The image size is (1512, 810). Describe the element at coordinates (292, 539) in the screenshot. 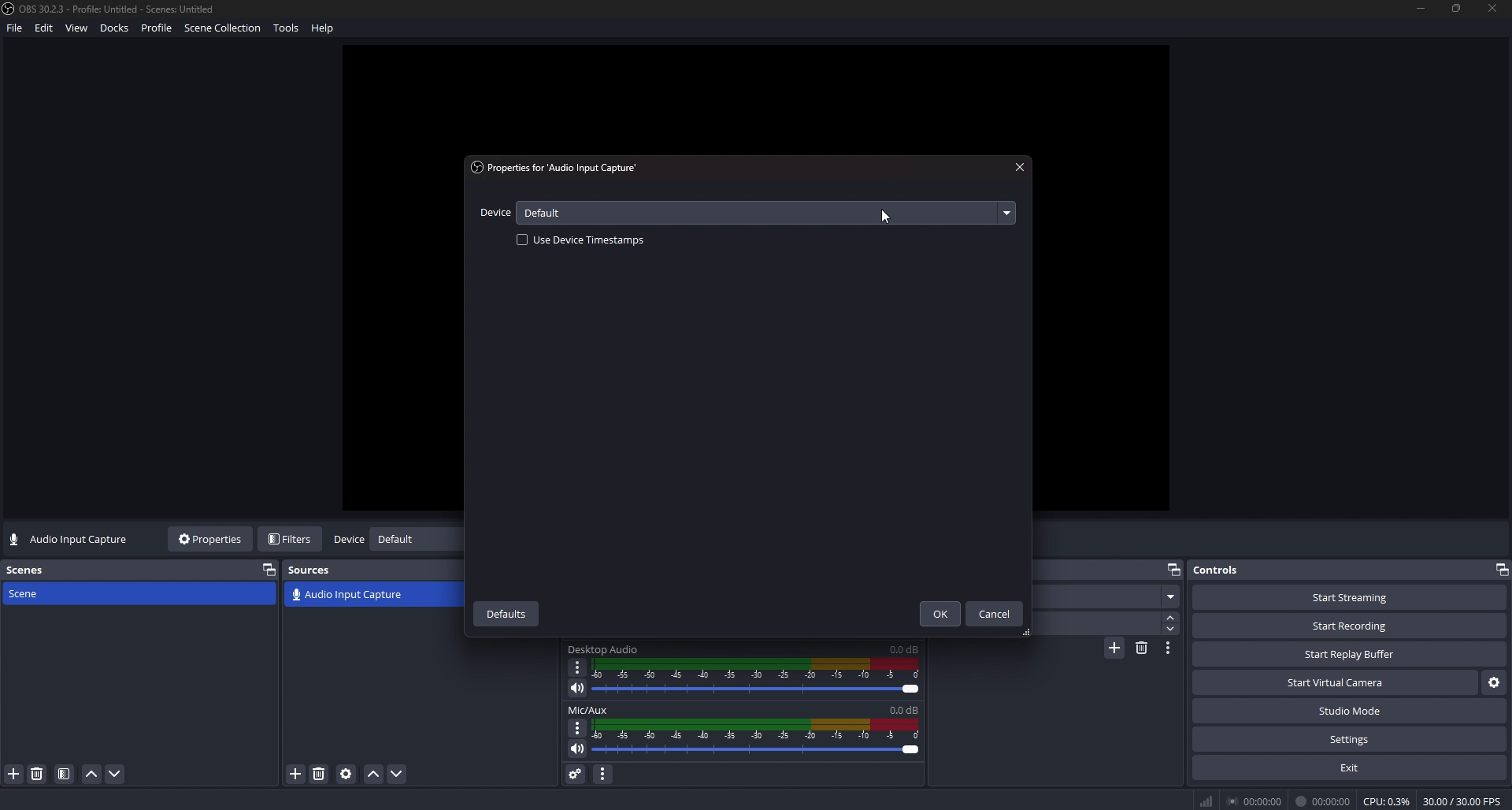

I see `filters` at that location.